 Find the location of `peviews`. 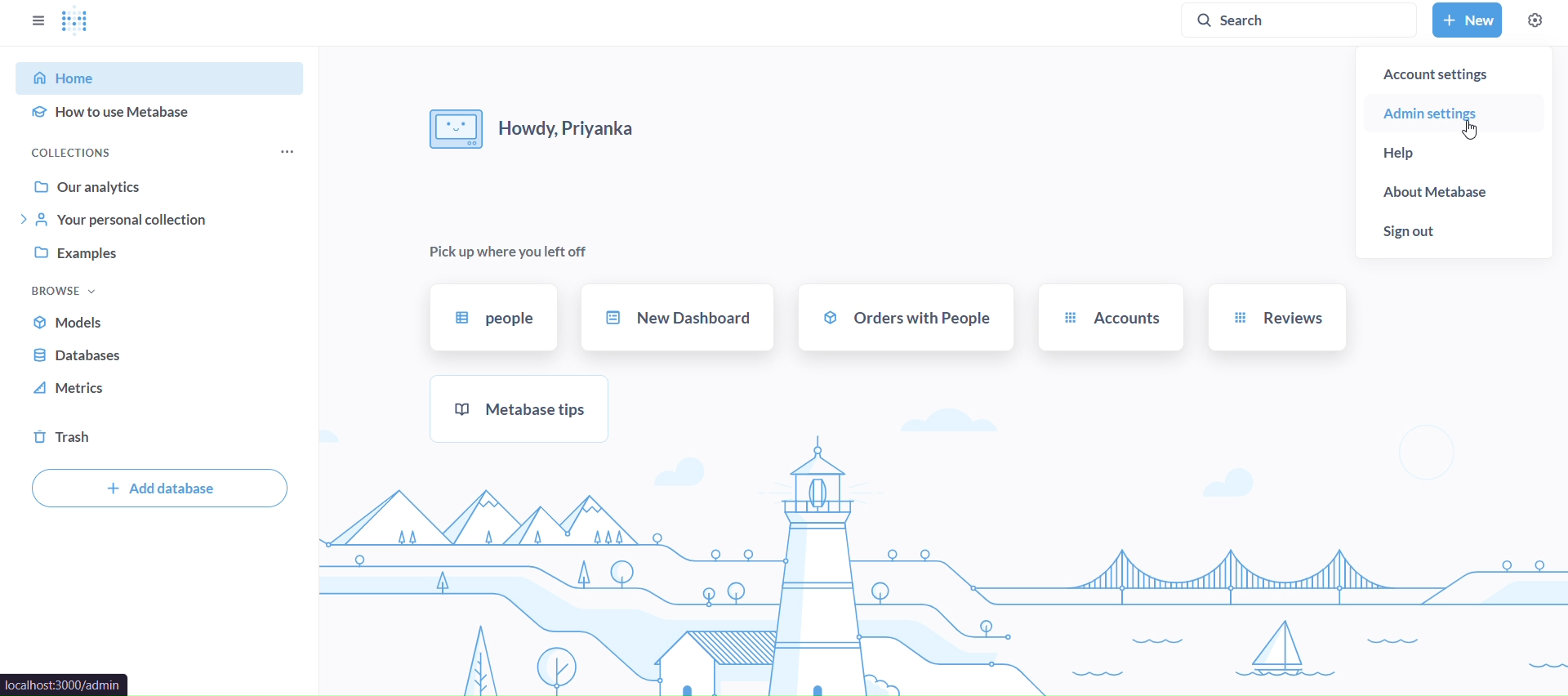

peviews is located at coordinates (1276, 317).